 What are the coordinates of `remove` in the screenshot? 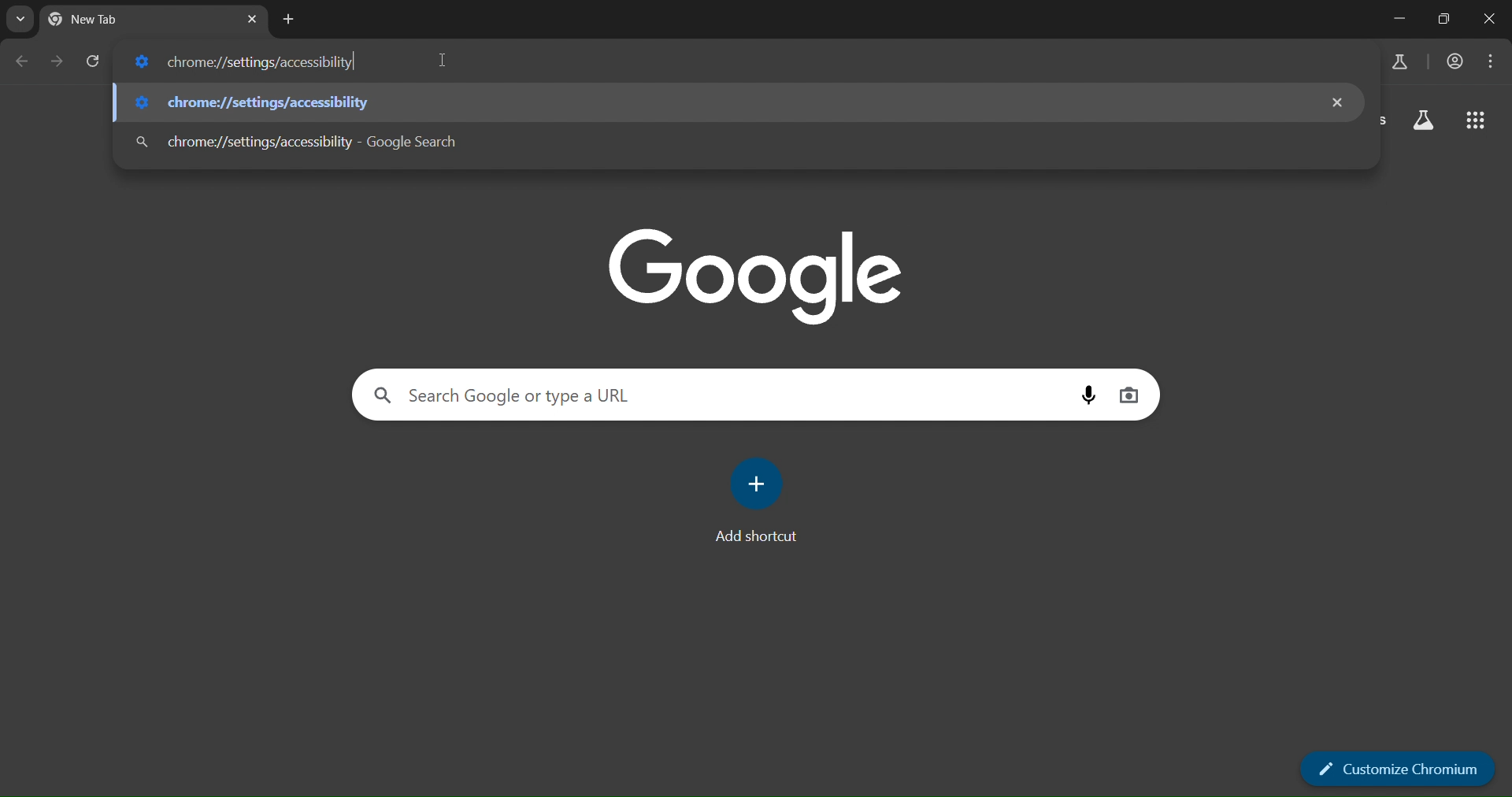 It's located at (1339, 102).